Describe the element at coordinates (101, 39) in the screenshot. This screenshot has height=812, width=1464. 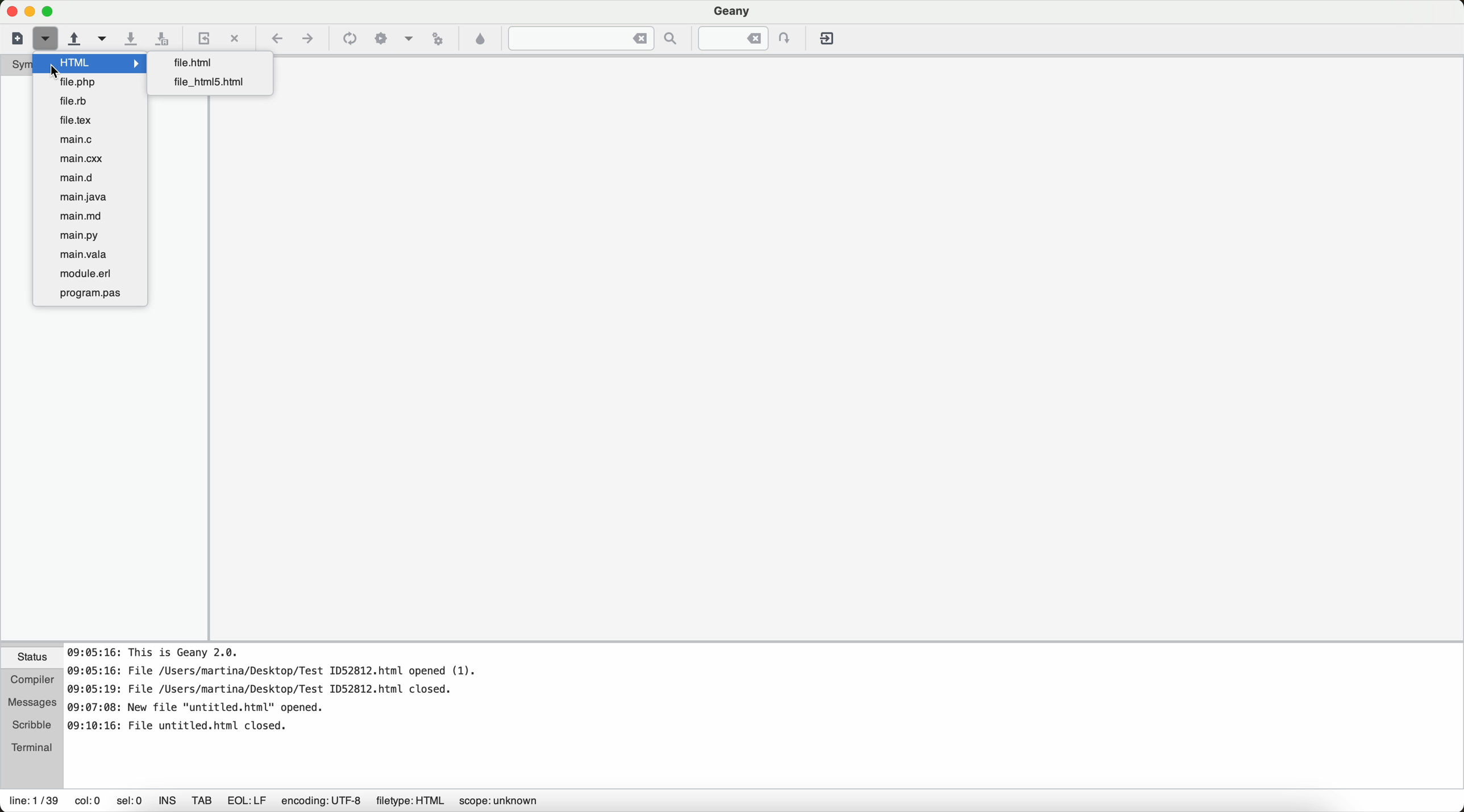
I see `open a recent file` at that location.